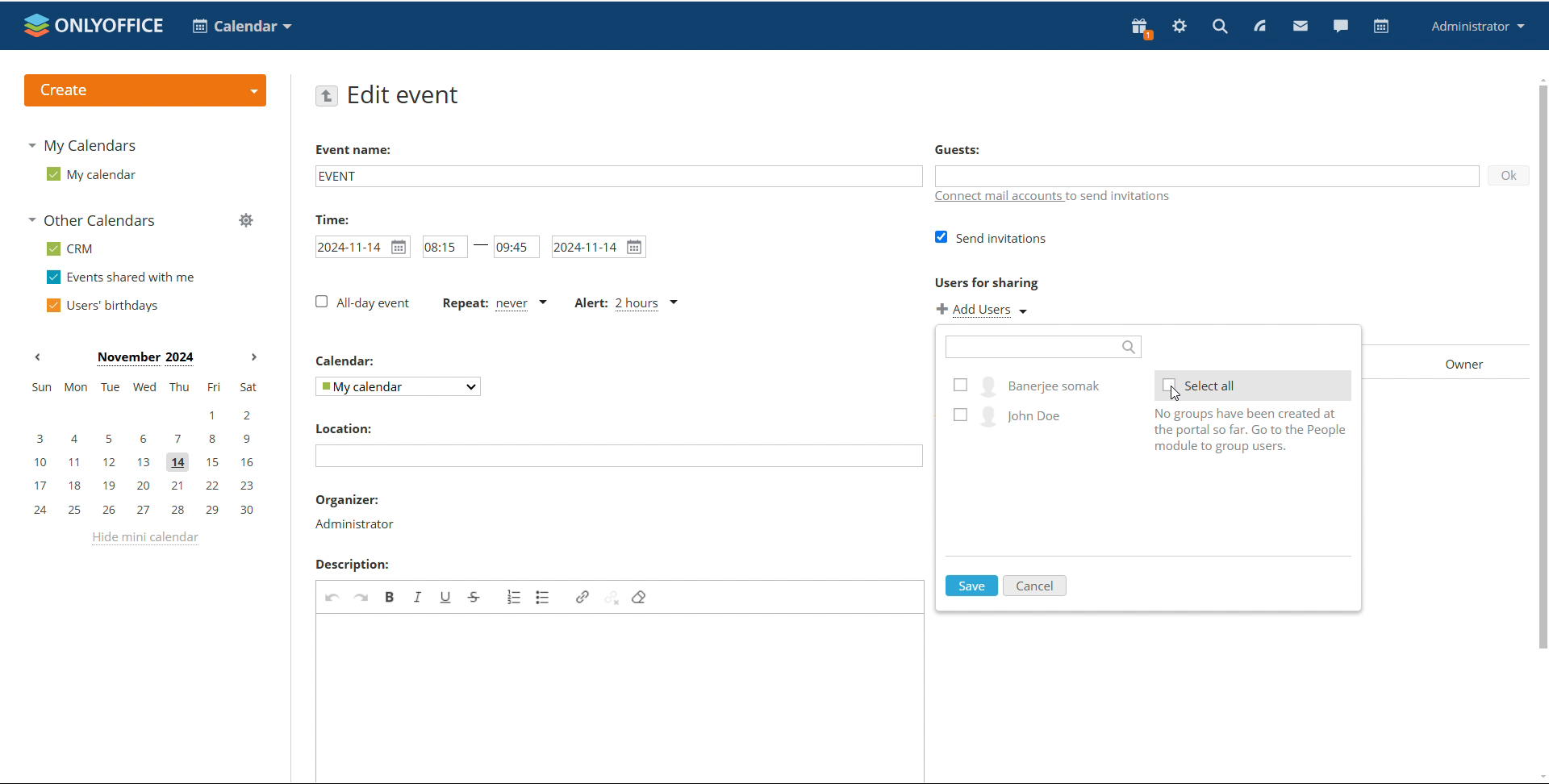  What do you see at coordinates (1027, 414) in the screenshot?
I see `user 2` at bounding box center [1027, 414].